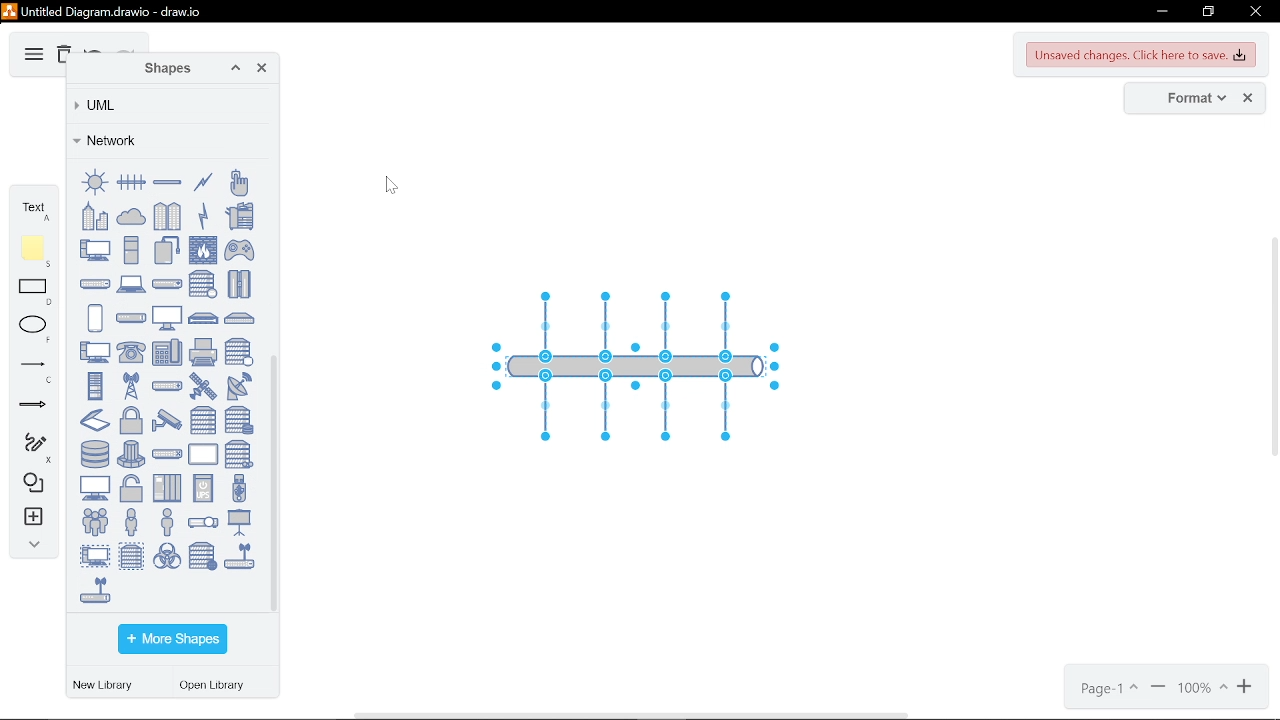 This screenshot has width=1280, height=720. What do you see at coordinates (95, 216) in the screenshot?
I see `business center` at bounding box center [95, 216].